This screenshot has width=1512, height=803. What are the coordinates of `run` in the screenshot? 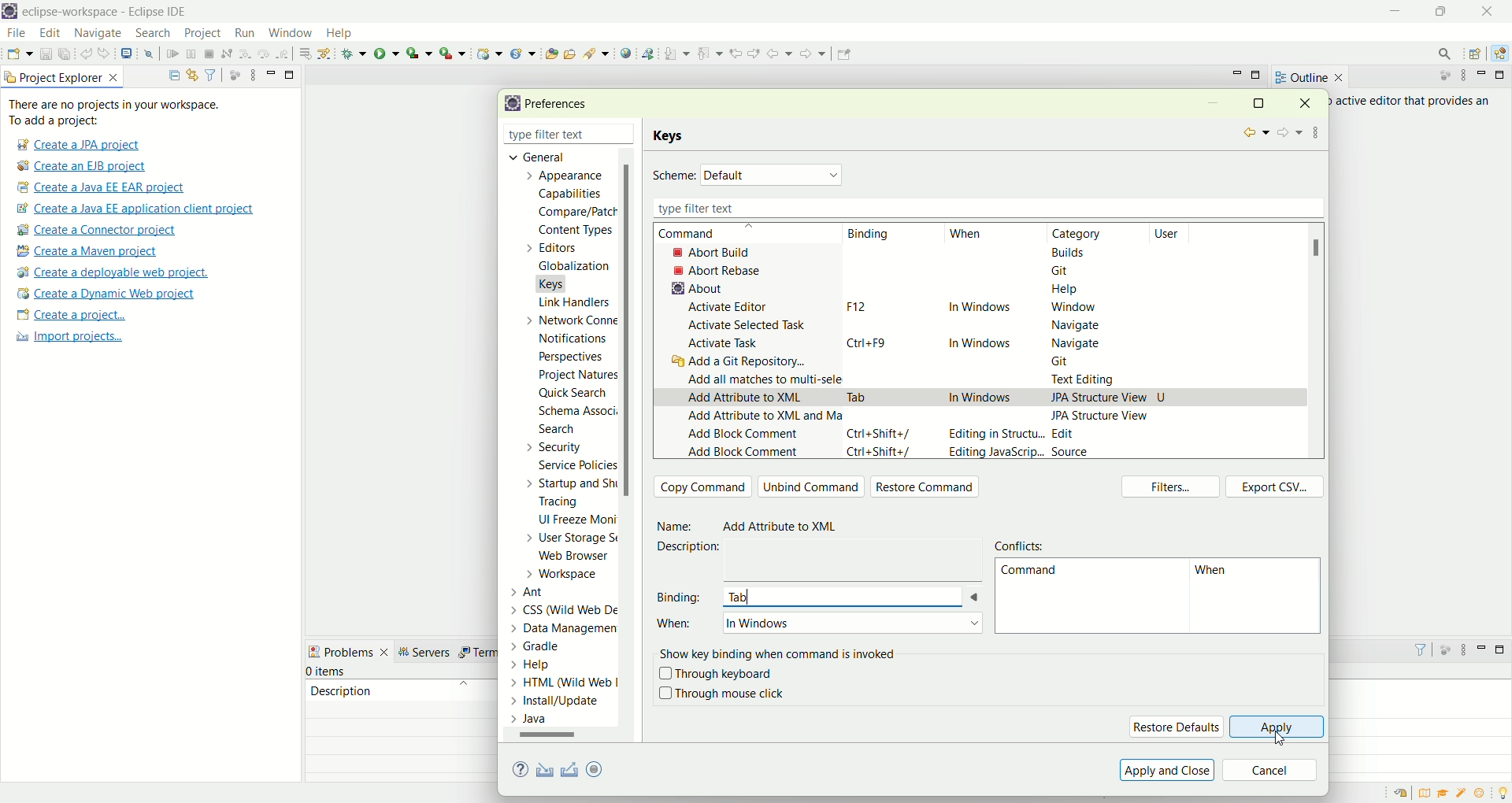 It's located at (387, 53).